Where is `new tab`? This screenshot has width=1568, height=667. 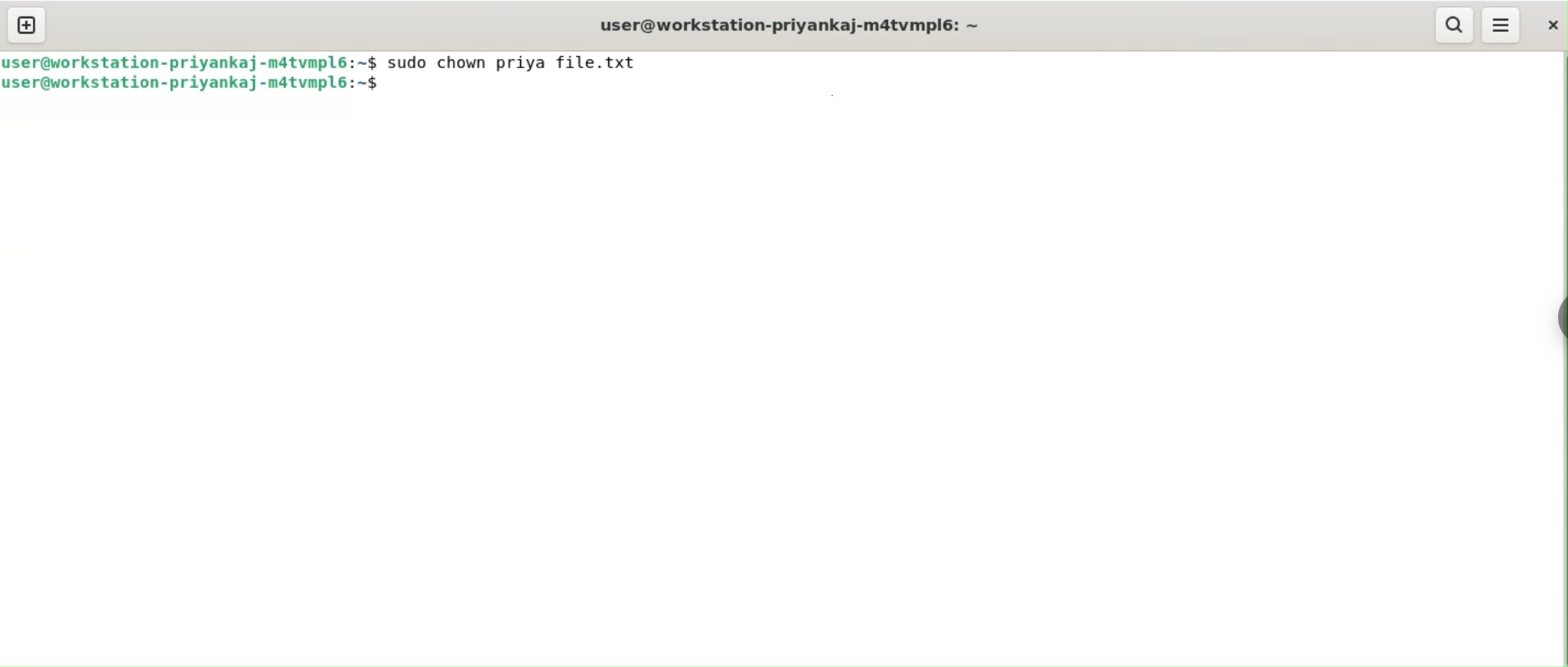
new tab is located at coordinates (27, 26).